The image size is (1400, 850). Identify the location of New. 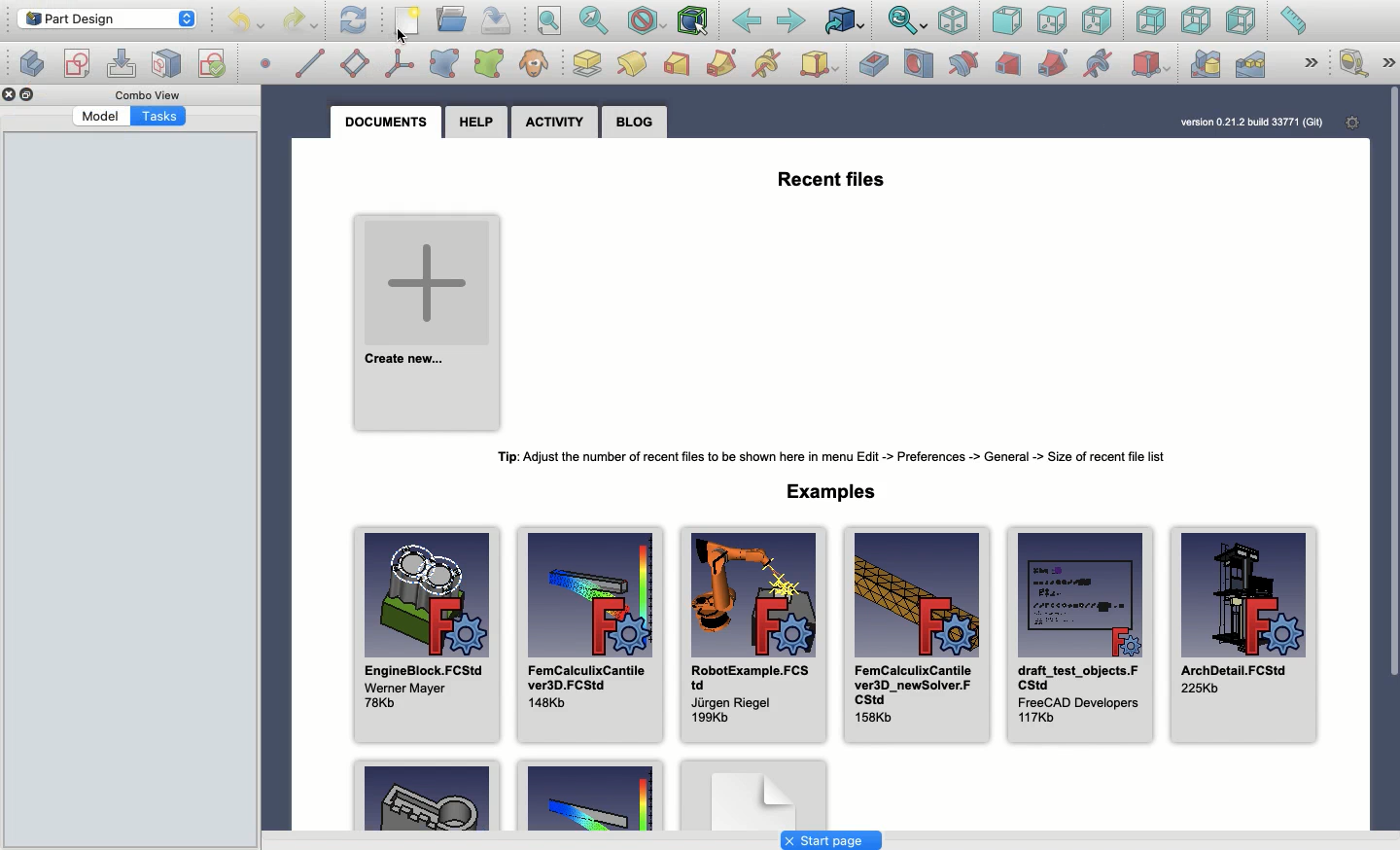
(411, 22).